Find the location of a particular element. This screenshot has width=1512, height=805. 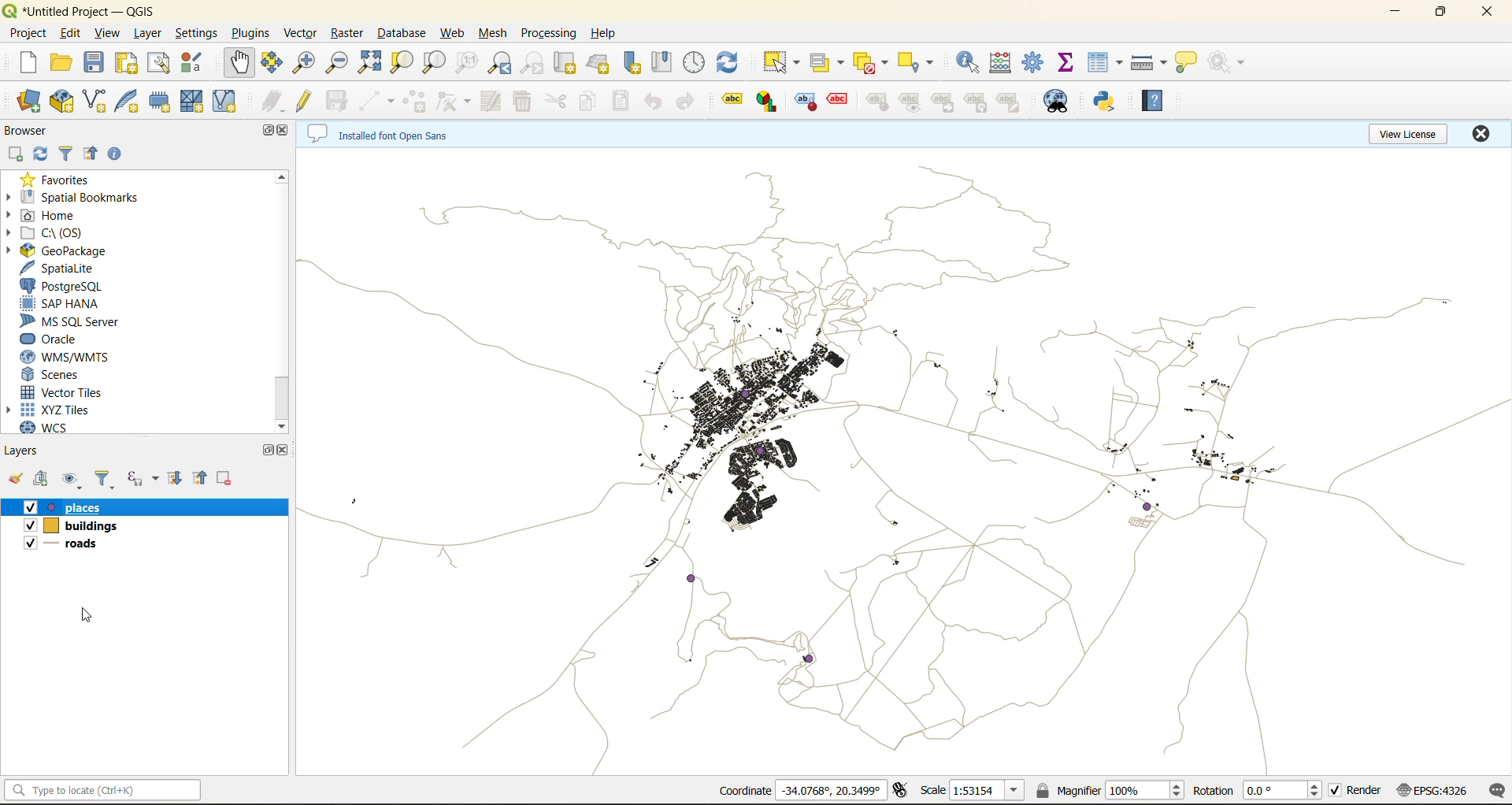

zoom full is located at coordinates (369, 62).